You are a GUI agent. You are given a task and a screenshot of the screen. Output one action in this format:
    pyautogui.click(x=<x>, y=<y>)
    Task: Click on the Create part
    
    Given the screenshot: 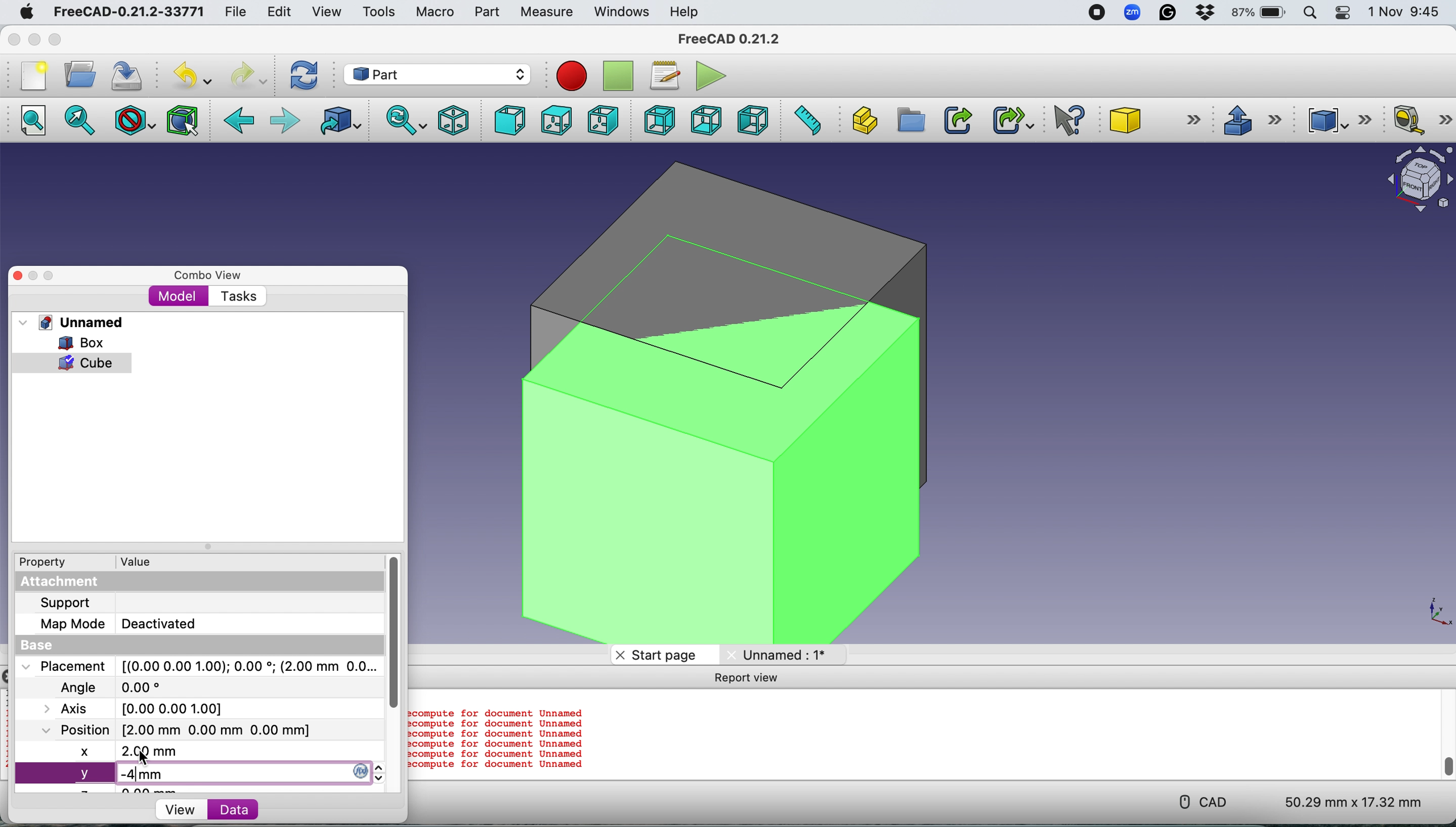 What is the action you would take?
    pyautogui.click(x=861, y=120)
    